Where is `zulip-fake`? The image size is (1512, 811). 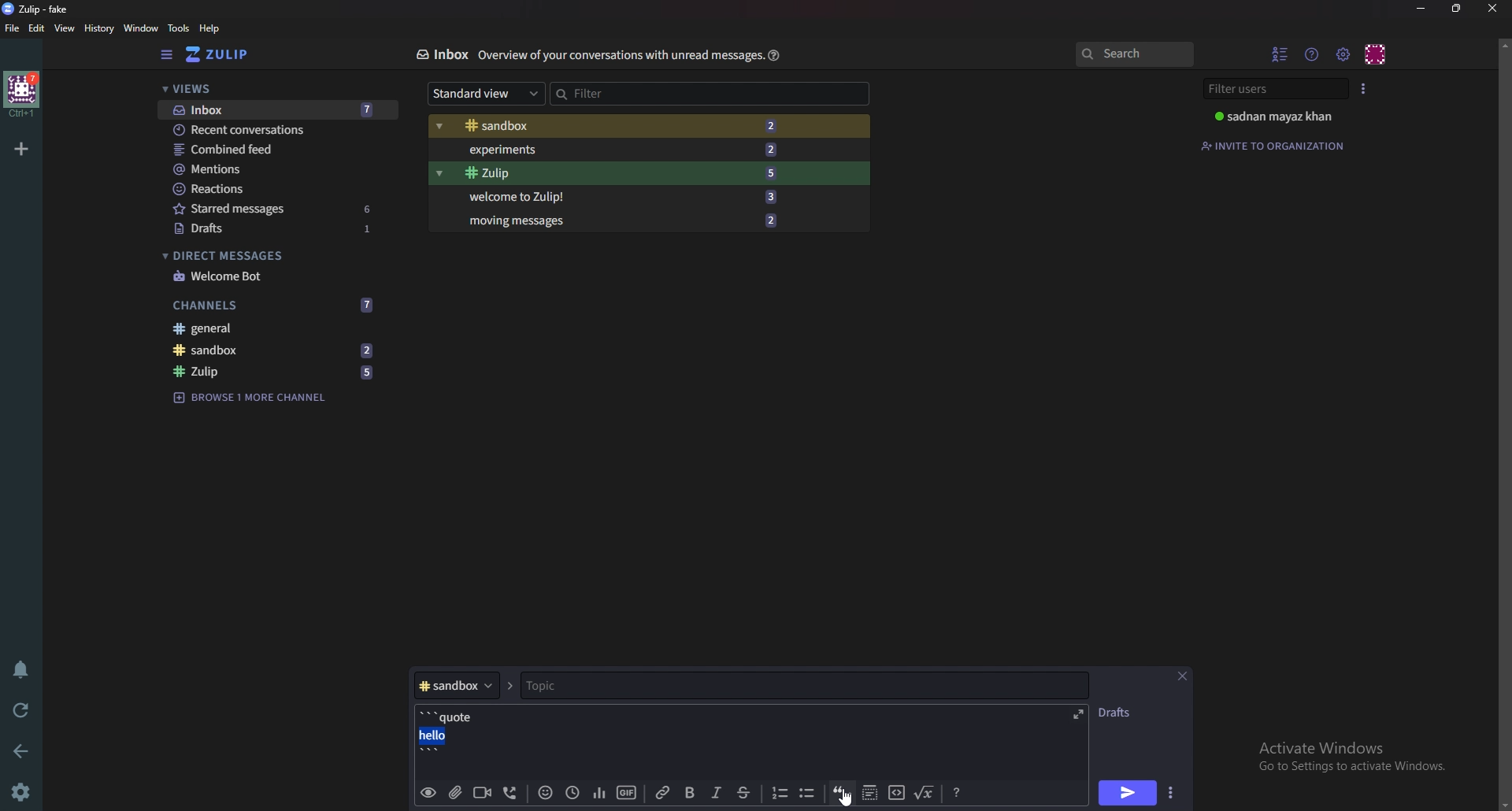
zulip-fake is located at coordinates (39, 9).